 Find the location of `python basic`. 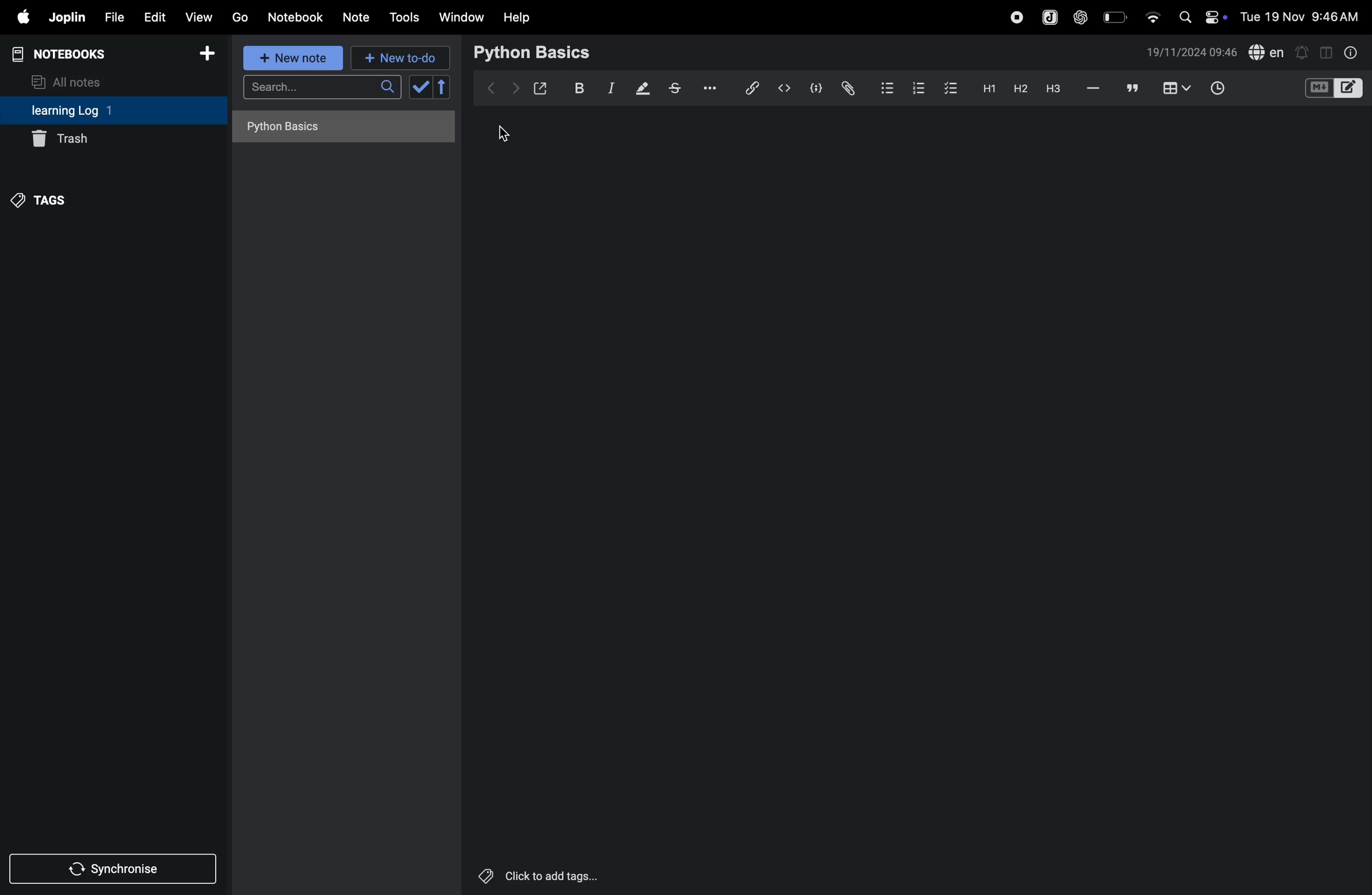

python basic is located at coordinates (534, 51).